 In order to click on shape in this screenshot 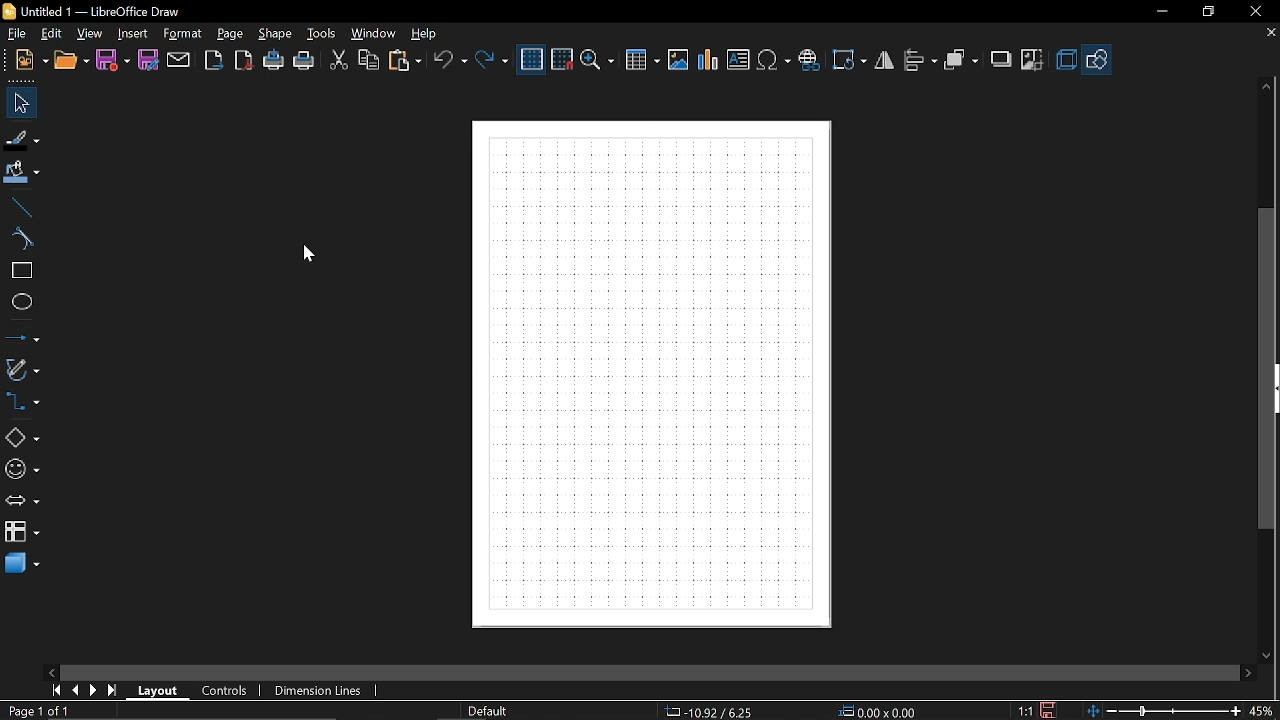, I will do `click(277, 33)`.